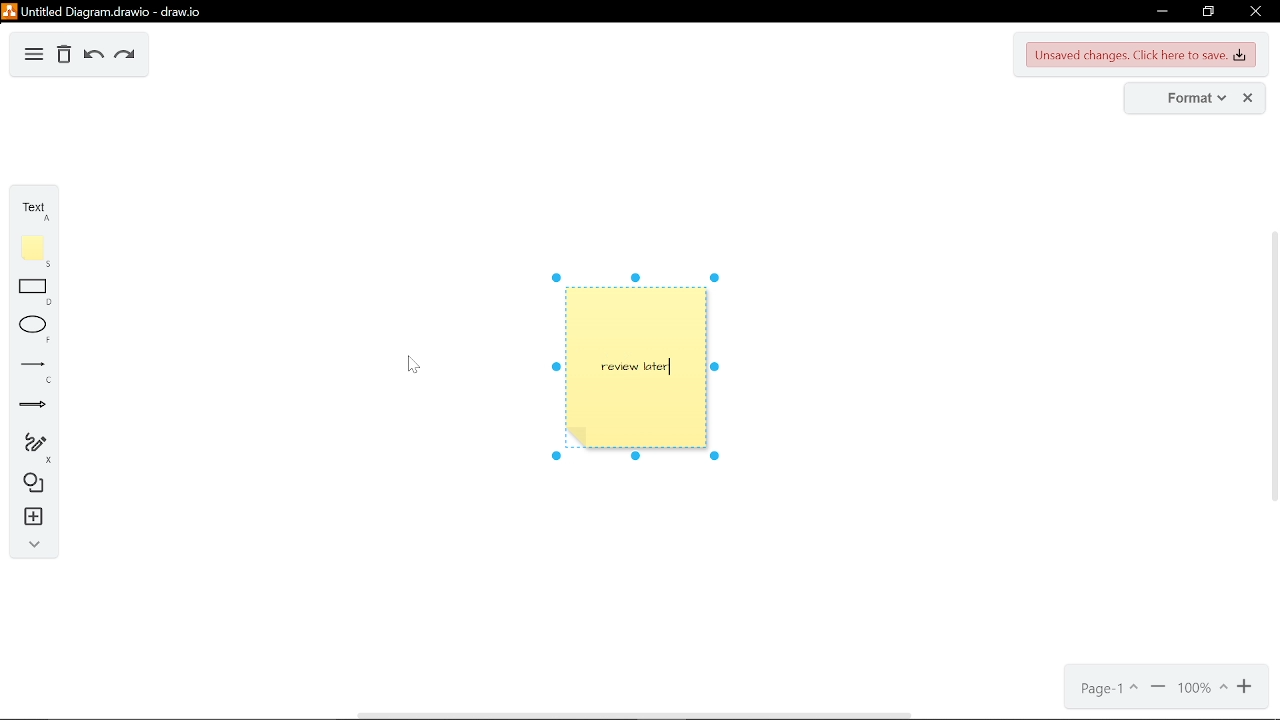 This screenshot has height=720, width=1280. What do you see at coordinates (64, 56) in the screenshot?
I see `delete` at bounding box center [64, 56].